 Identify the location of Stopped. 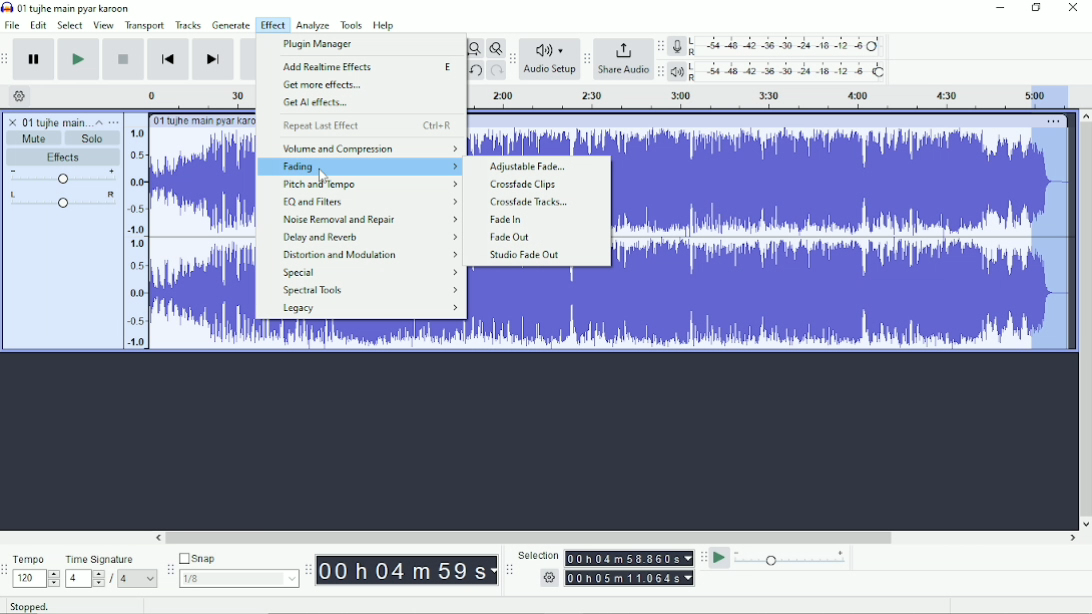
(27, 607).